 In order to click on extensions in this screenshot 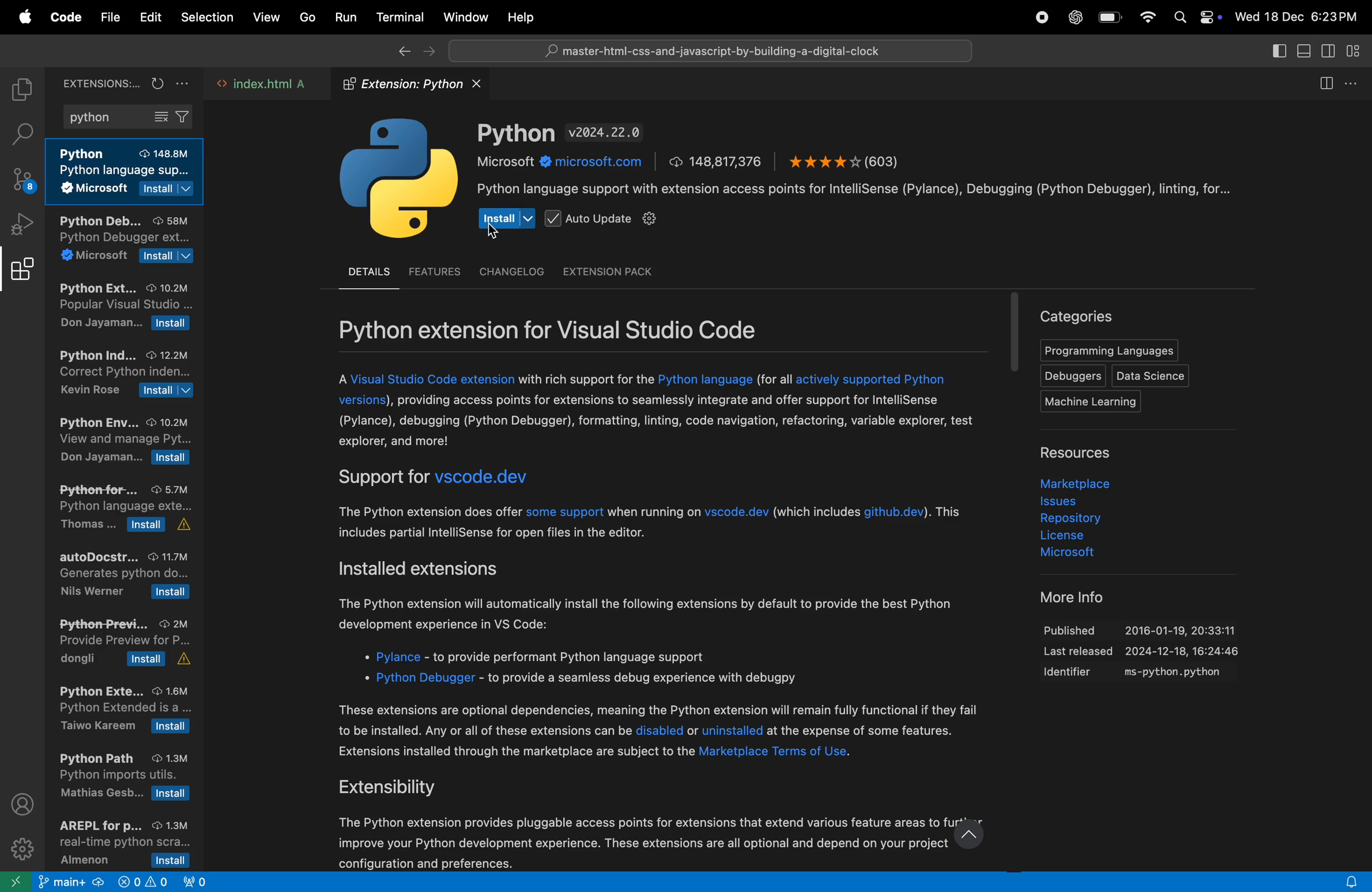, I will do `click(22, 274)`.